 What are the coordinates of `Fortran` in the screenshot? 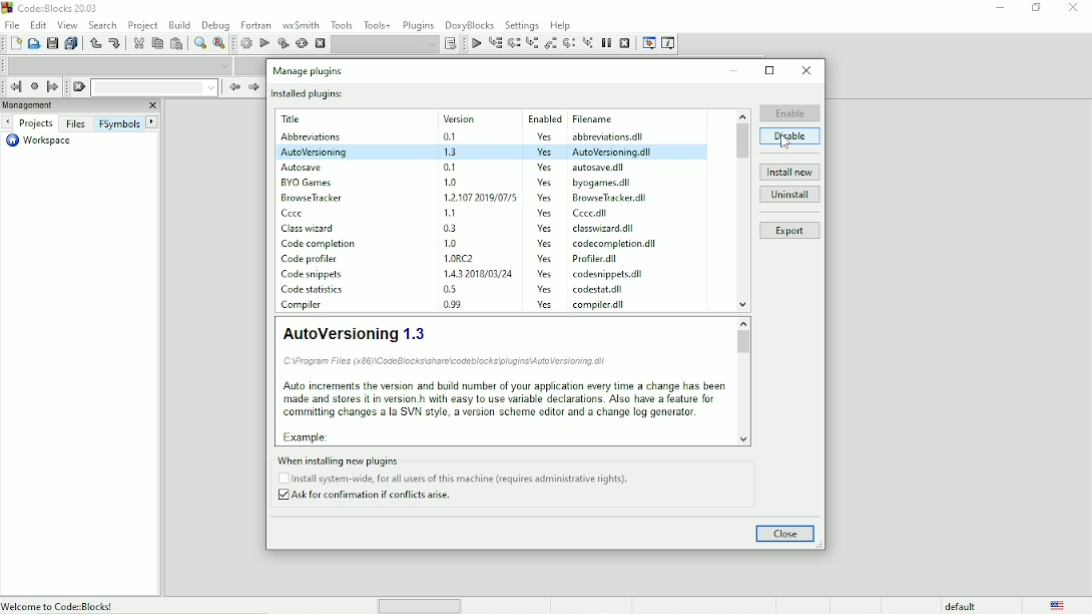 It's located at (256, 25).